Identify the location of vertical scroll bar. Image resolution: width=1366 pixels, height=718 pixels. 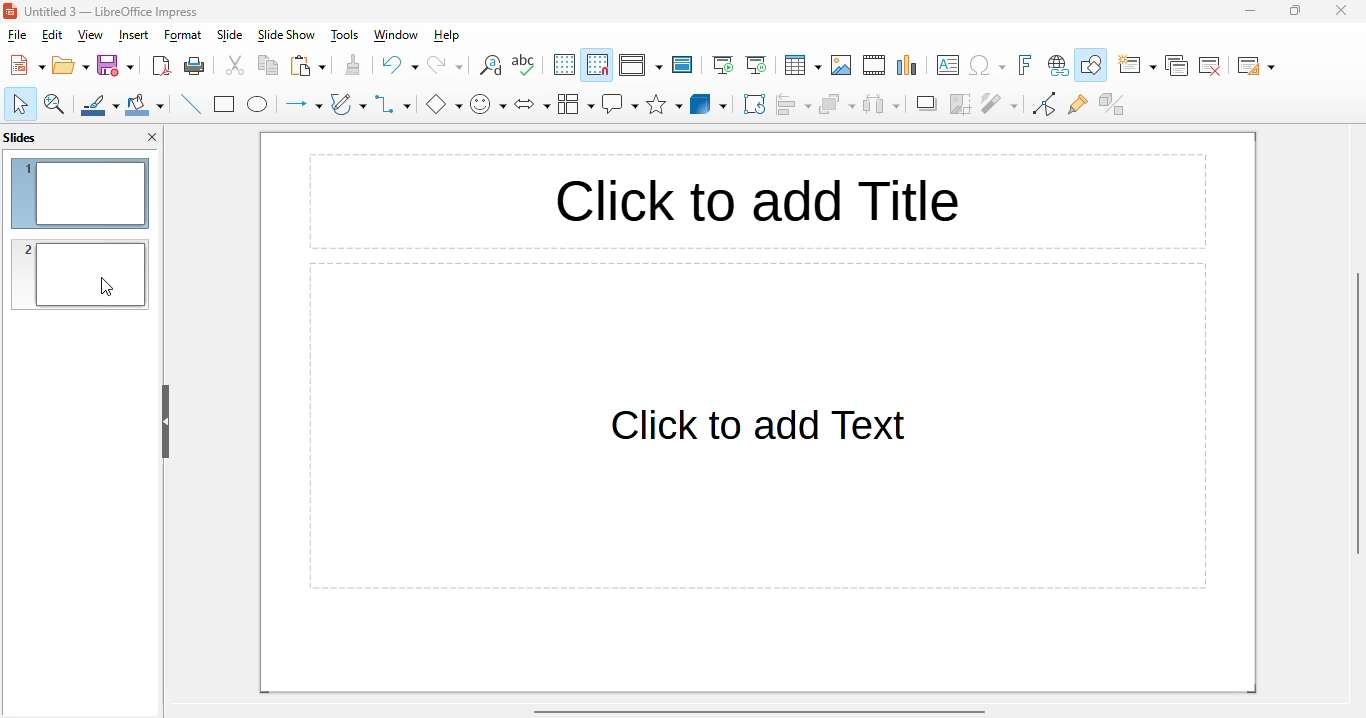
(1357, 412).